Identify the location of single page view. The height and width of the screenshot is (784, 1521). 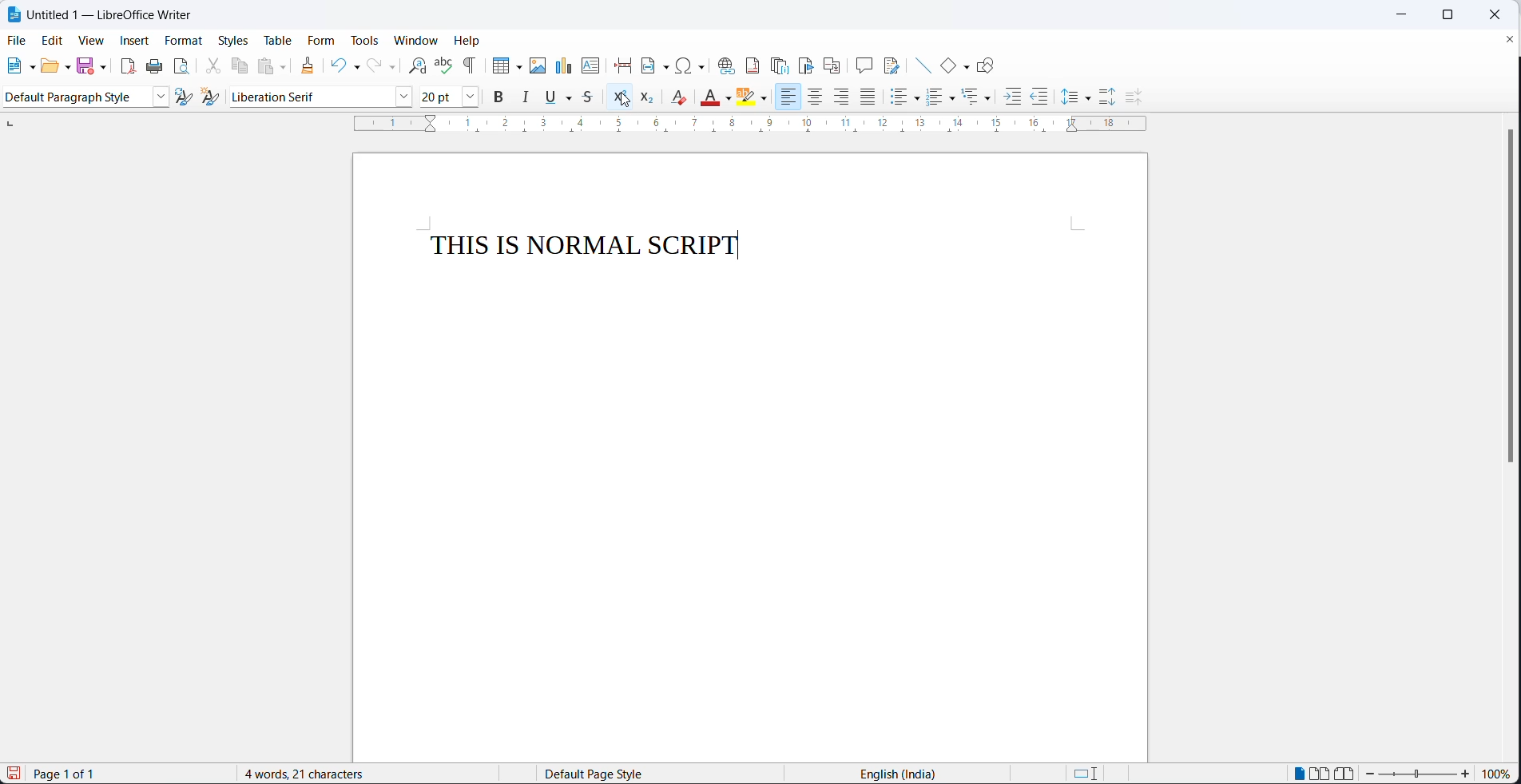
(1301, 773).